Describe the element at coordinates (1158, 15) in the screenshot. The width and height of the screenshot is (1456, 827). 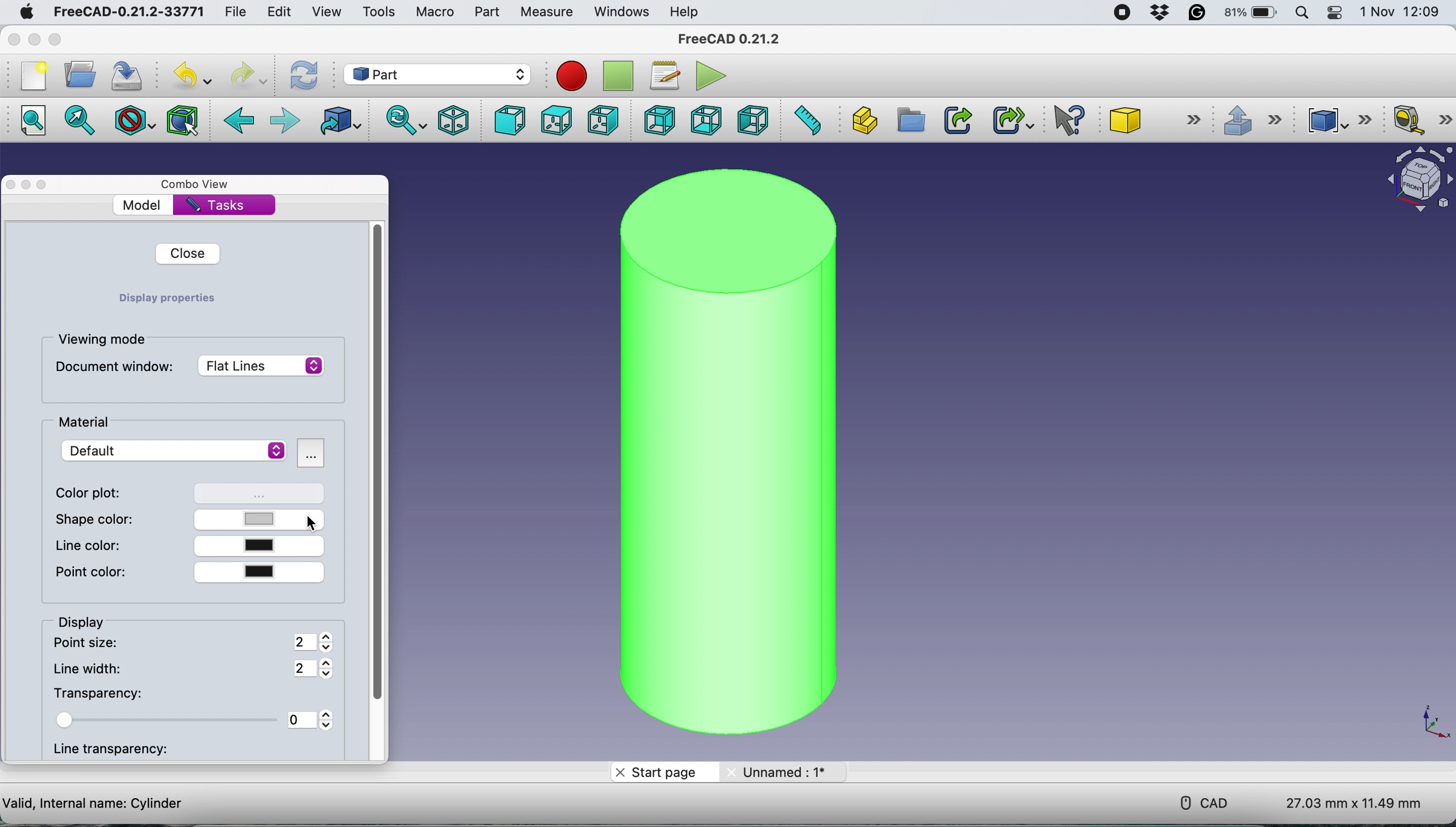
I see `dropbox` at that location.